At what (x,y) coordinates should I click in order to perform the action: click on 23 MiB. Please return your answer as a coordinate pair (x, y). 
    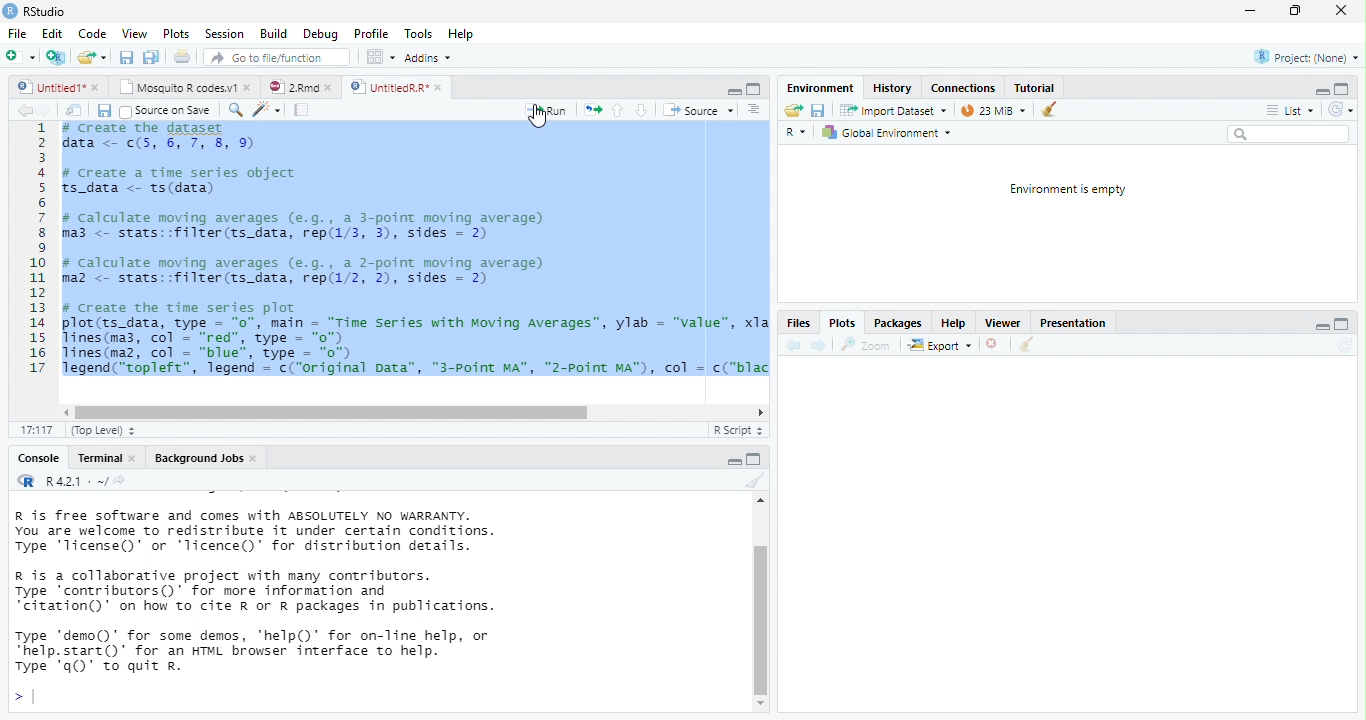
    Looking at the image, I should click on (992, 110).